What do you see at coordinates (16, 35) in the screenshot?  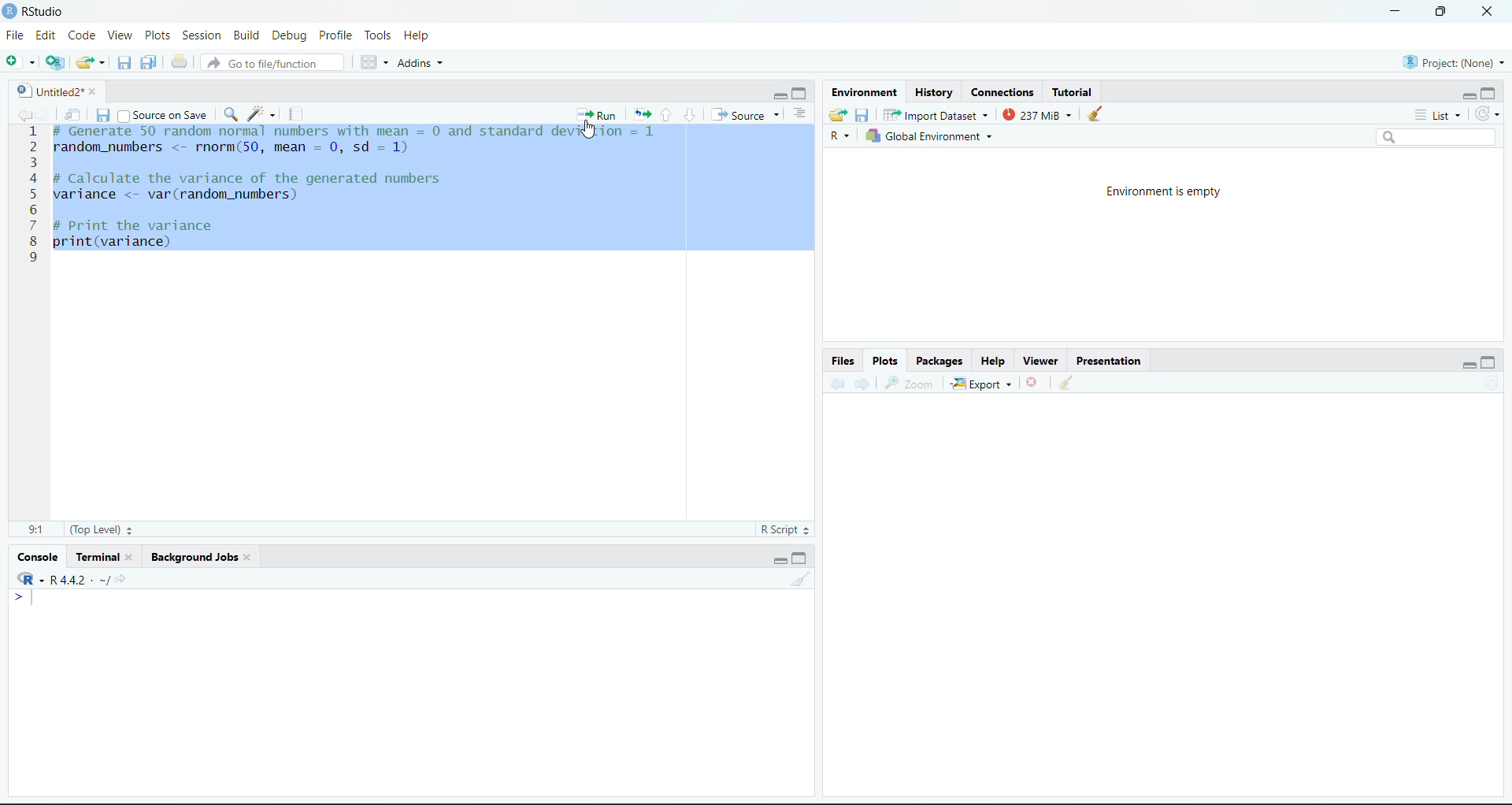 I see `File` at bounding box center [16, 35].